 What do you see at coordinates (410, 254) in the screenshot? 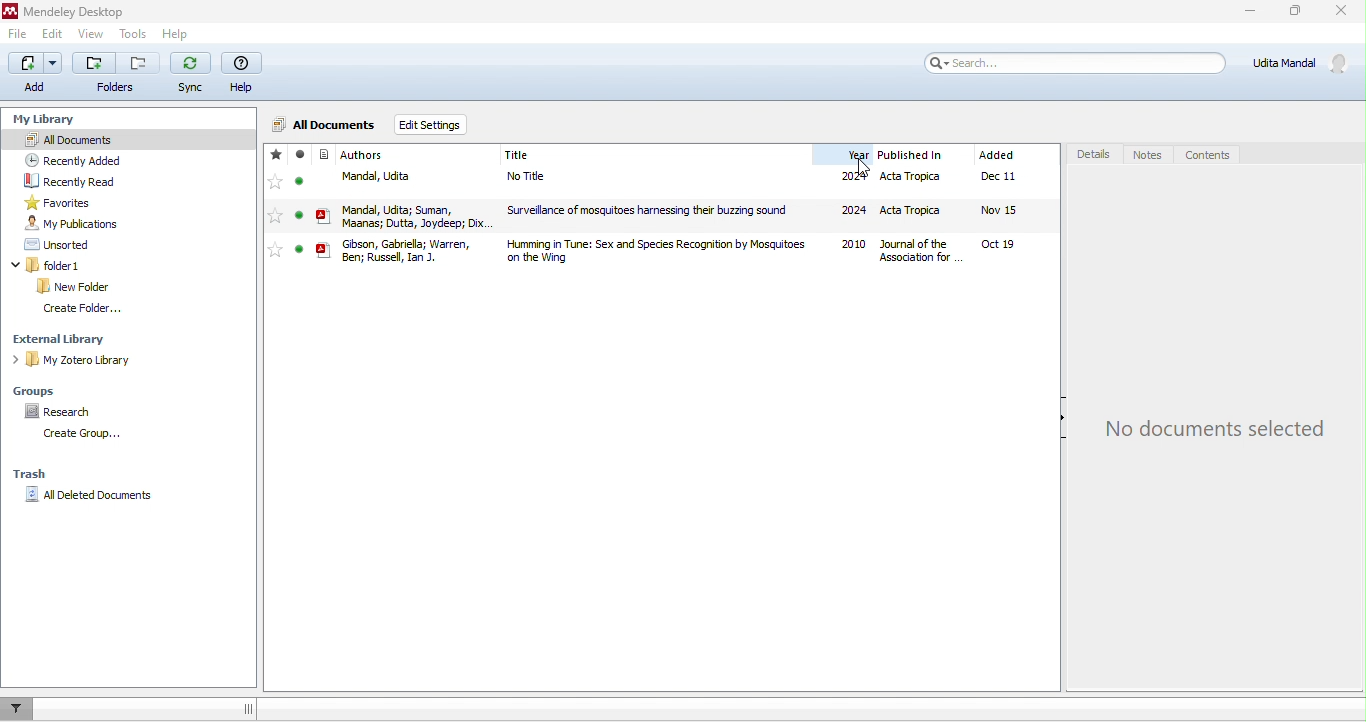
I see `Gibson, Gabriela; Warren,
Ben; Risse, Ian J.` at bounding box center [410, 254].